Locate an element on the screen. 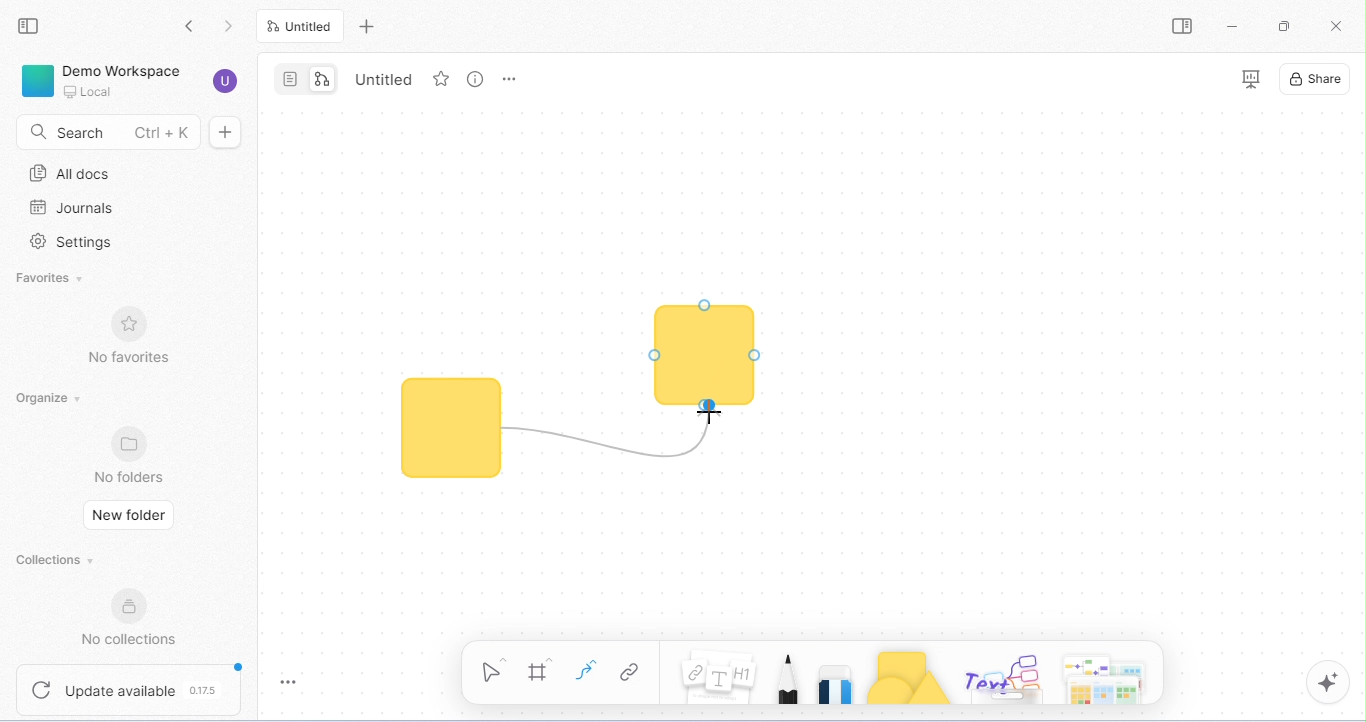 This screenshot has width=1366, height=722. open/ close side bar is located at coordinates (1182, 26).